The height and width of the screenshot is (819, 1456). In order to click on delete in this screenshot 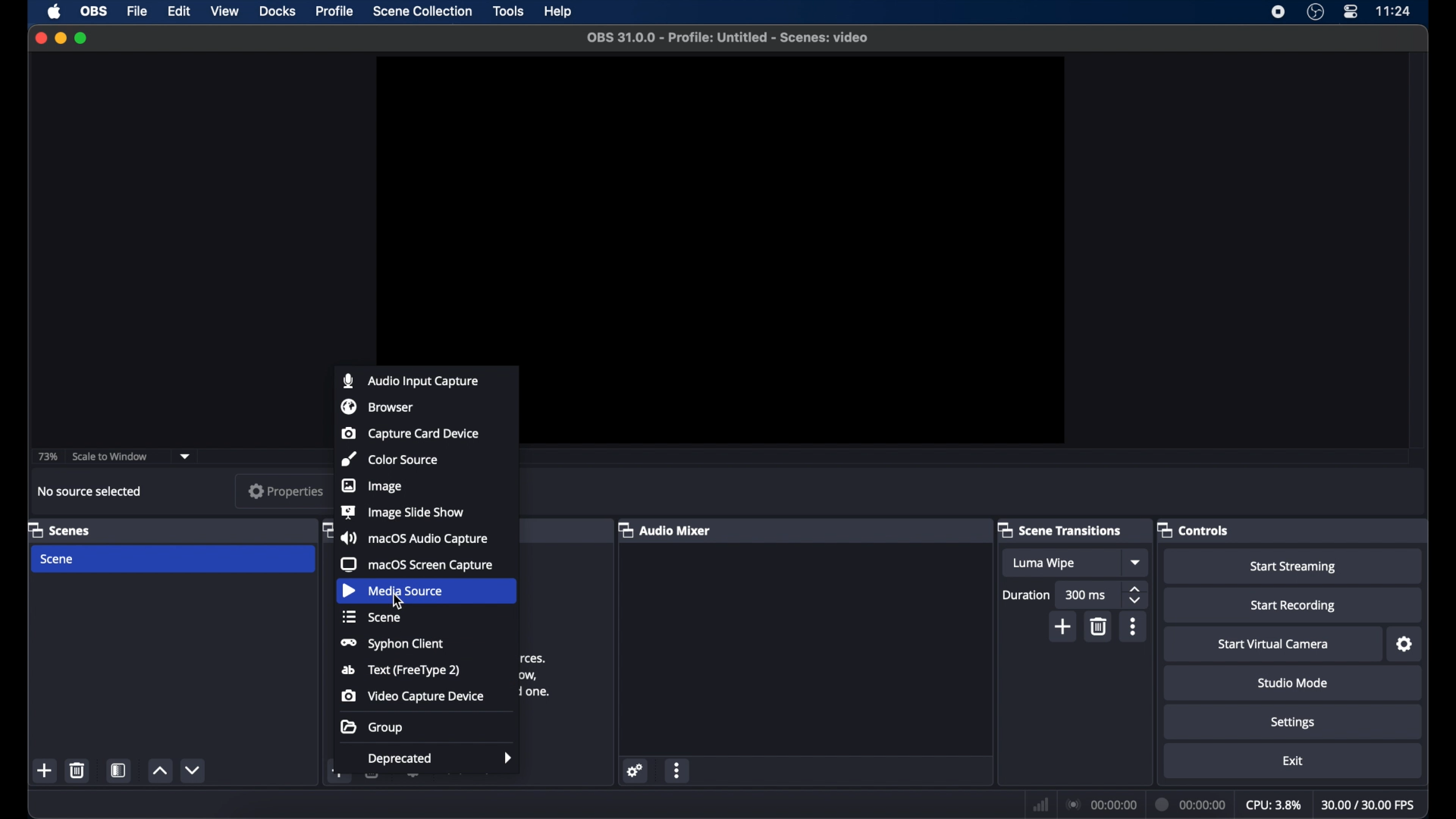, I will do `click(77, 770)`.